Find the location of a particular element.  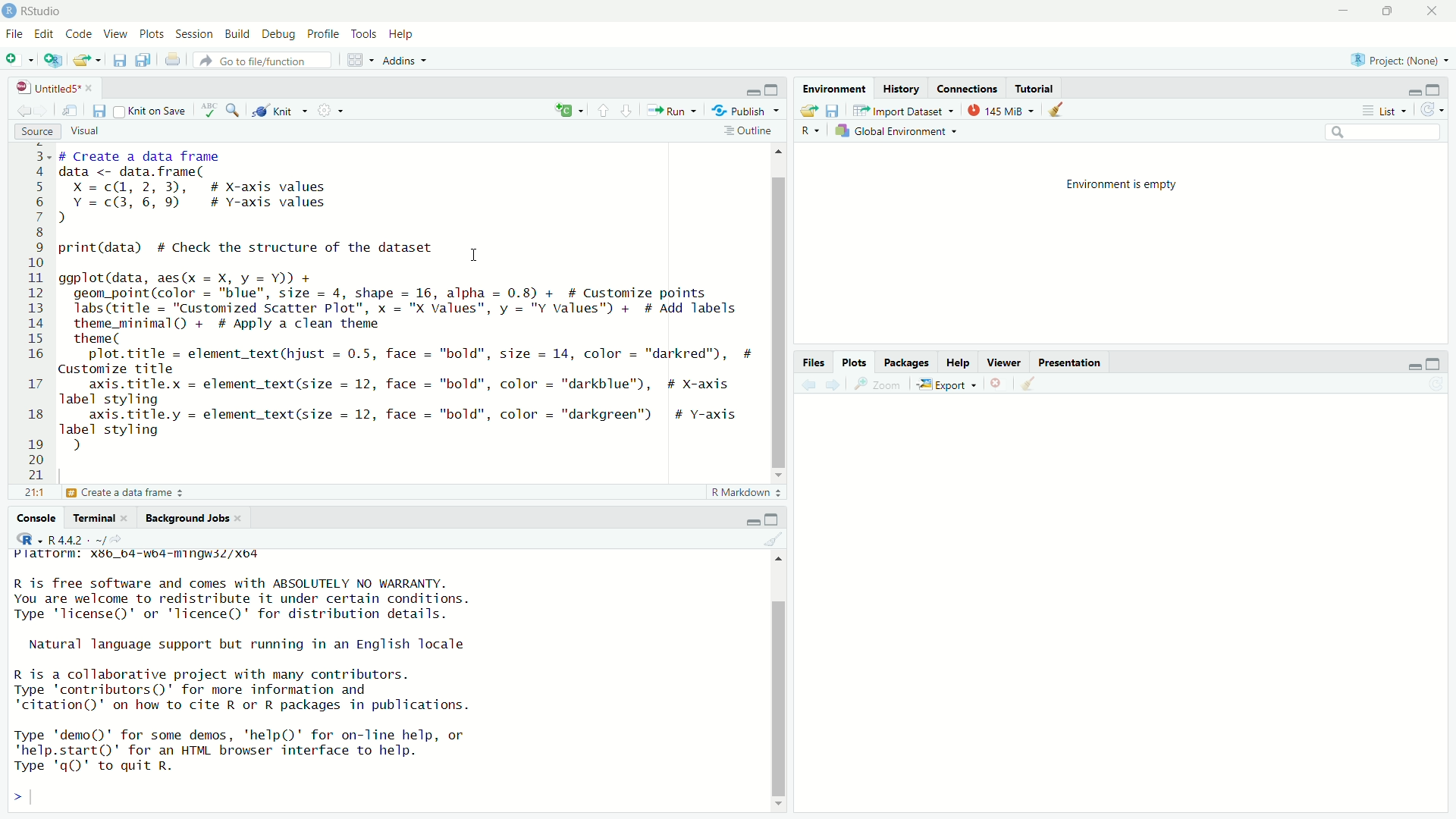

Zoom is located at coordinates (877, 385).